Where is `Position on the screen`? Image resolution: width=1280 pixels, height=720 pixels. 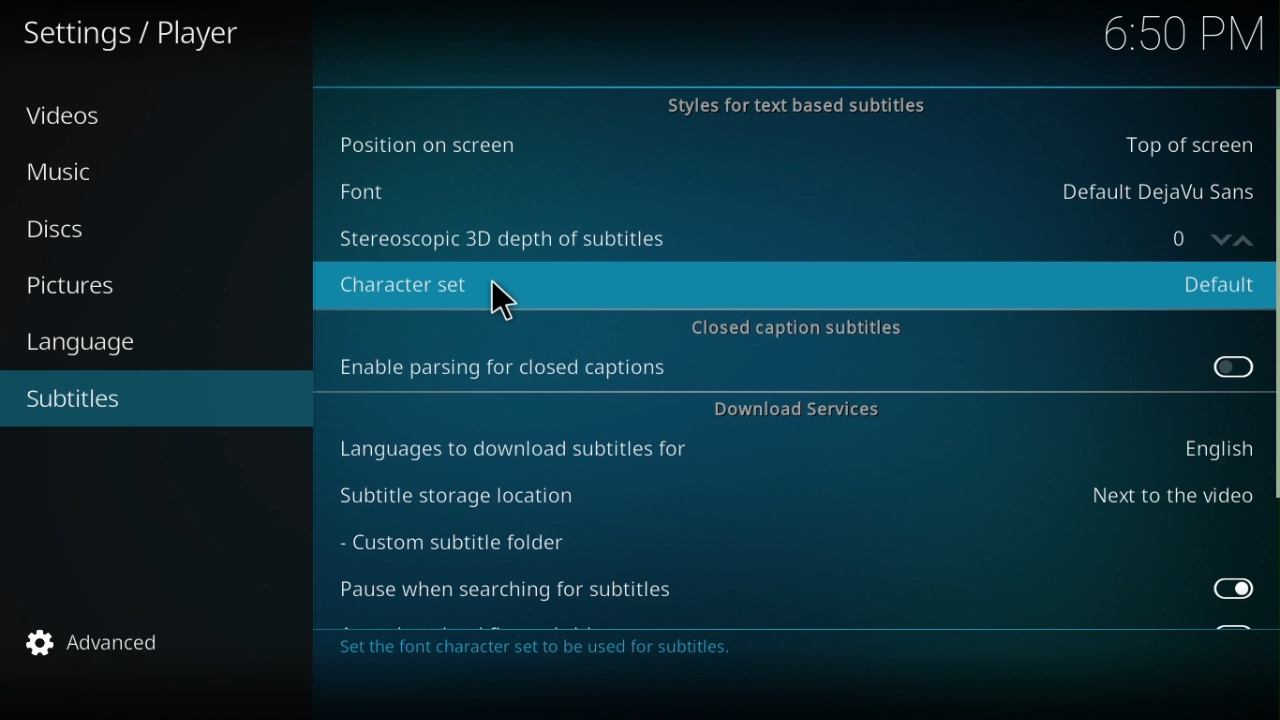 Position on the screen is located at coordinates (787, 146).